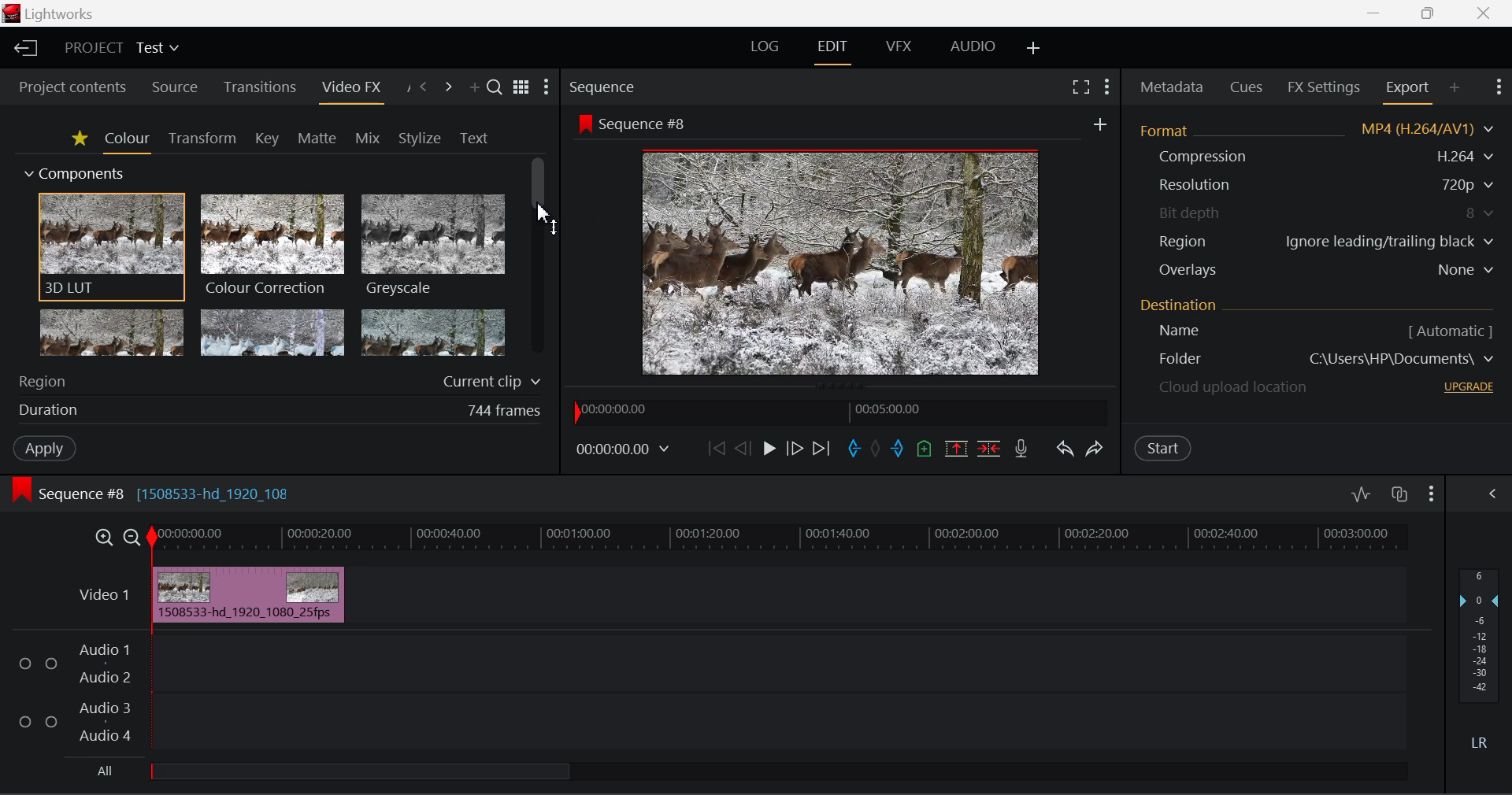 The image size is (1512, 795). Describe the element at coordinates (121, 46) in the screenshot. I see `Project Title` at that location.